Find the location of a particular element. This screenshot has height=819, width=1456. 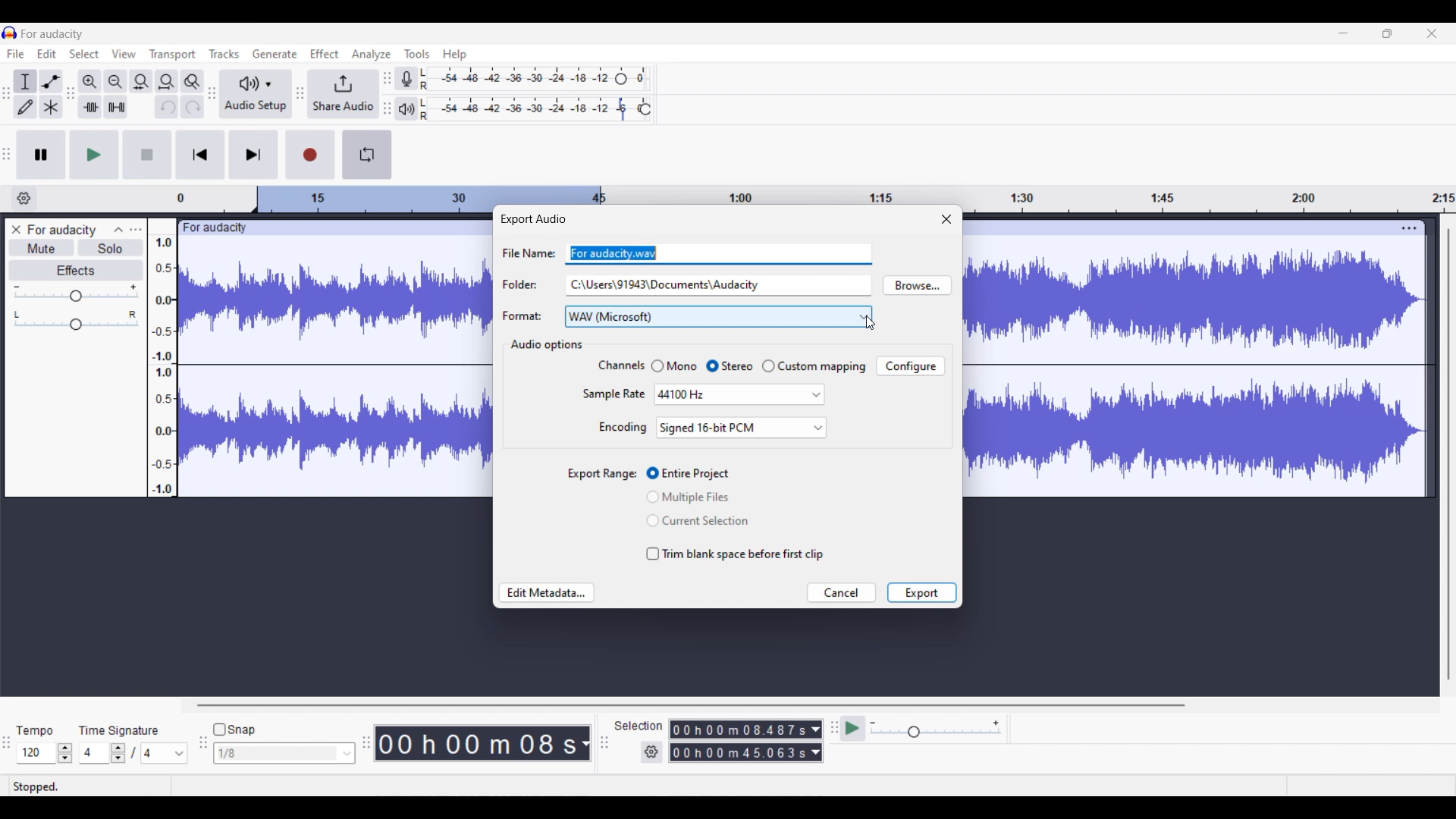

Snap options is located at coordinates (284, 753).